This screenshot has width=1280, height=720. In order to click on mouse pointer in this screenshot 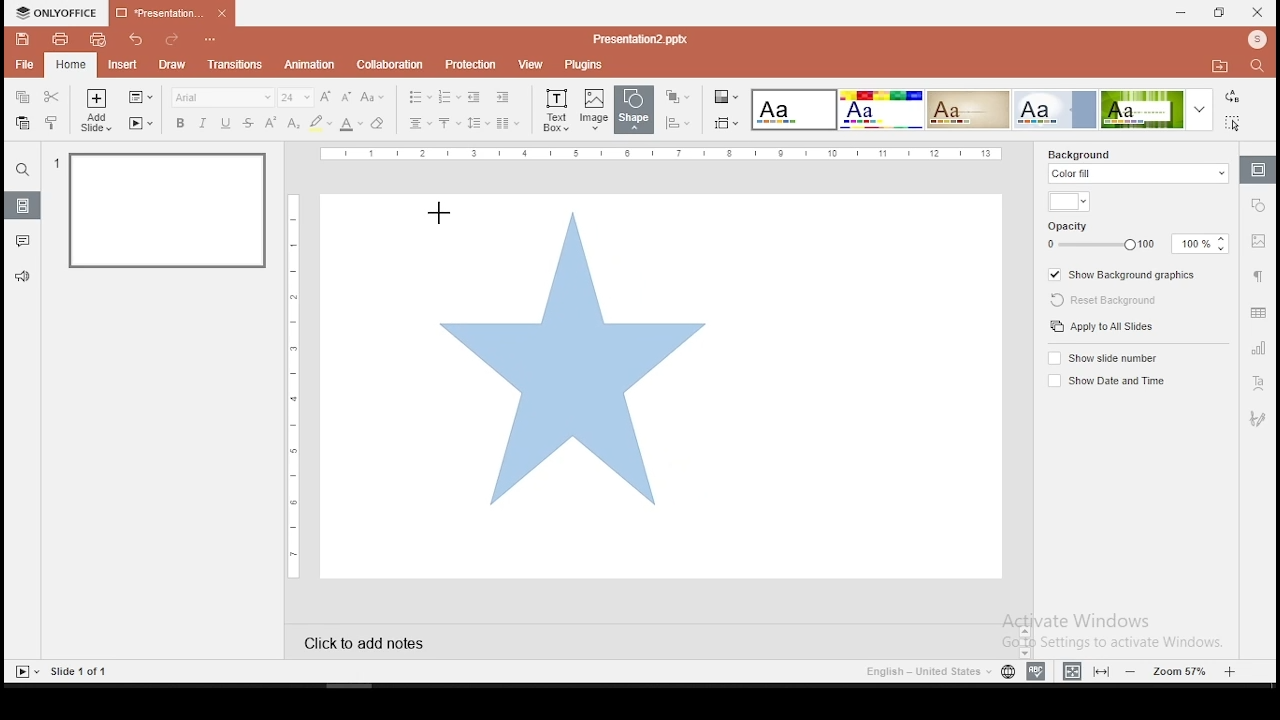, I will do `click(435, 213)`.